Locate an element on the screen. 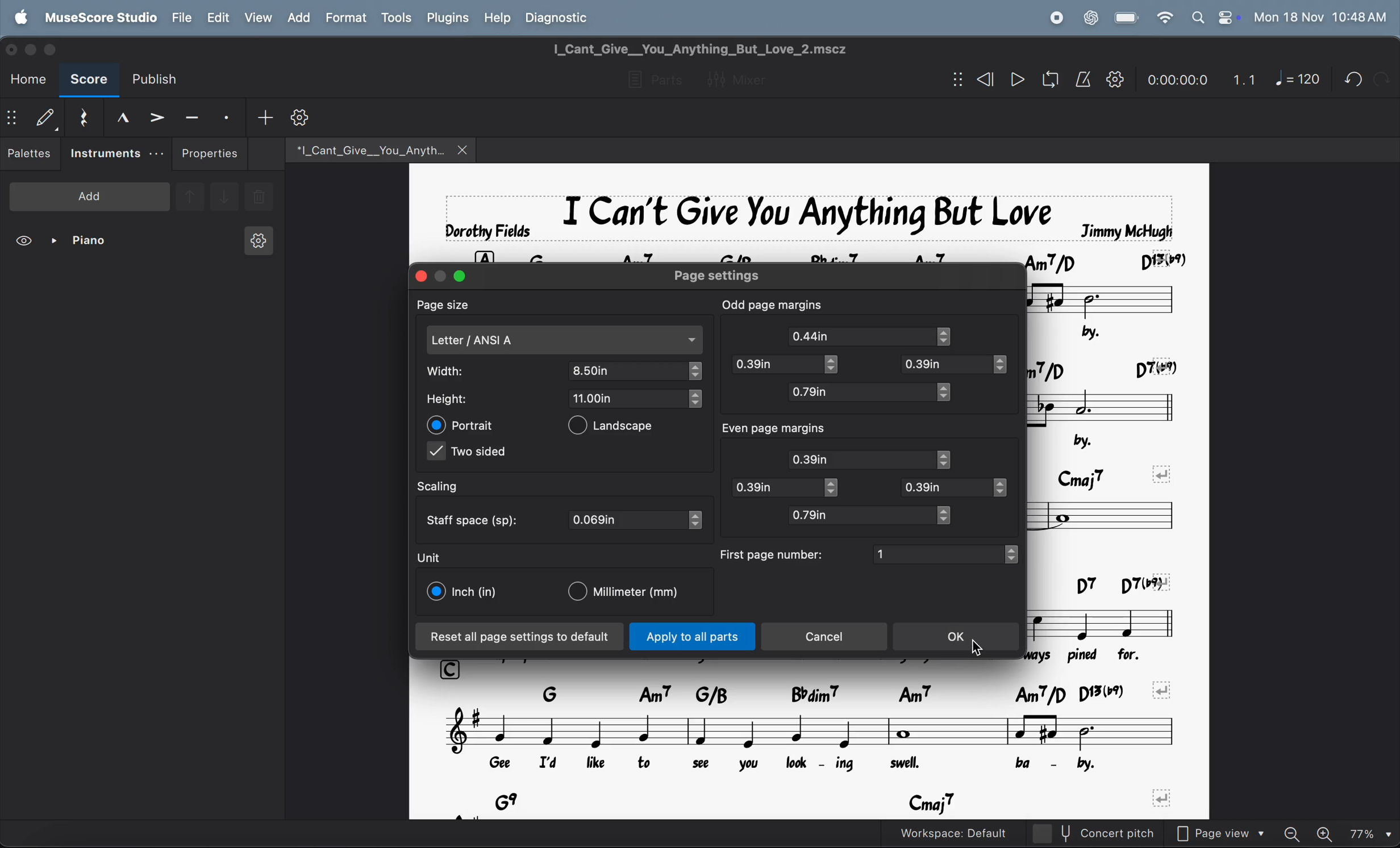  parts is located at coordinates (651, 81).